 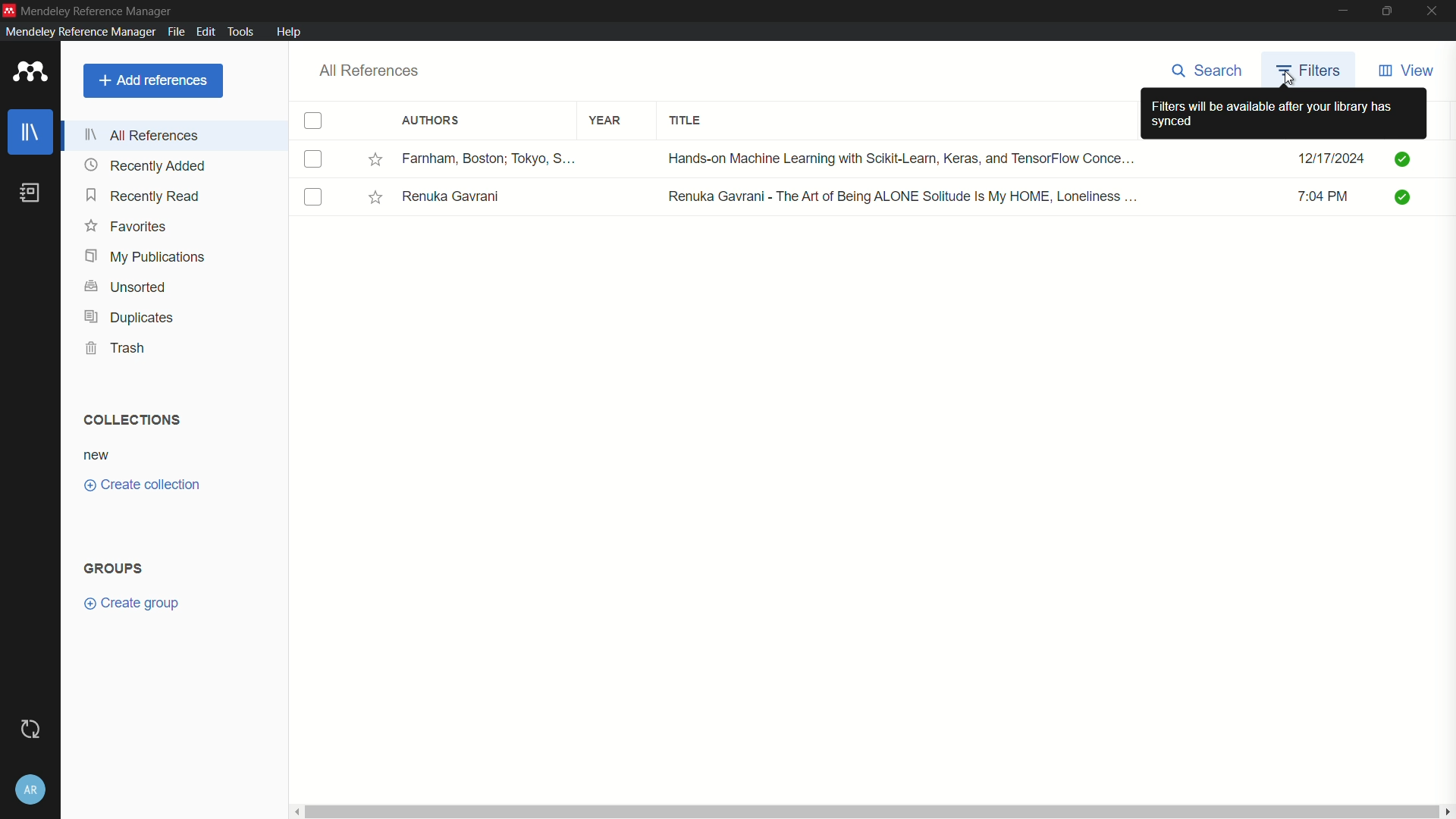 I want to click on help menu, so click(x=290, y=33).